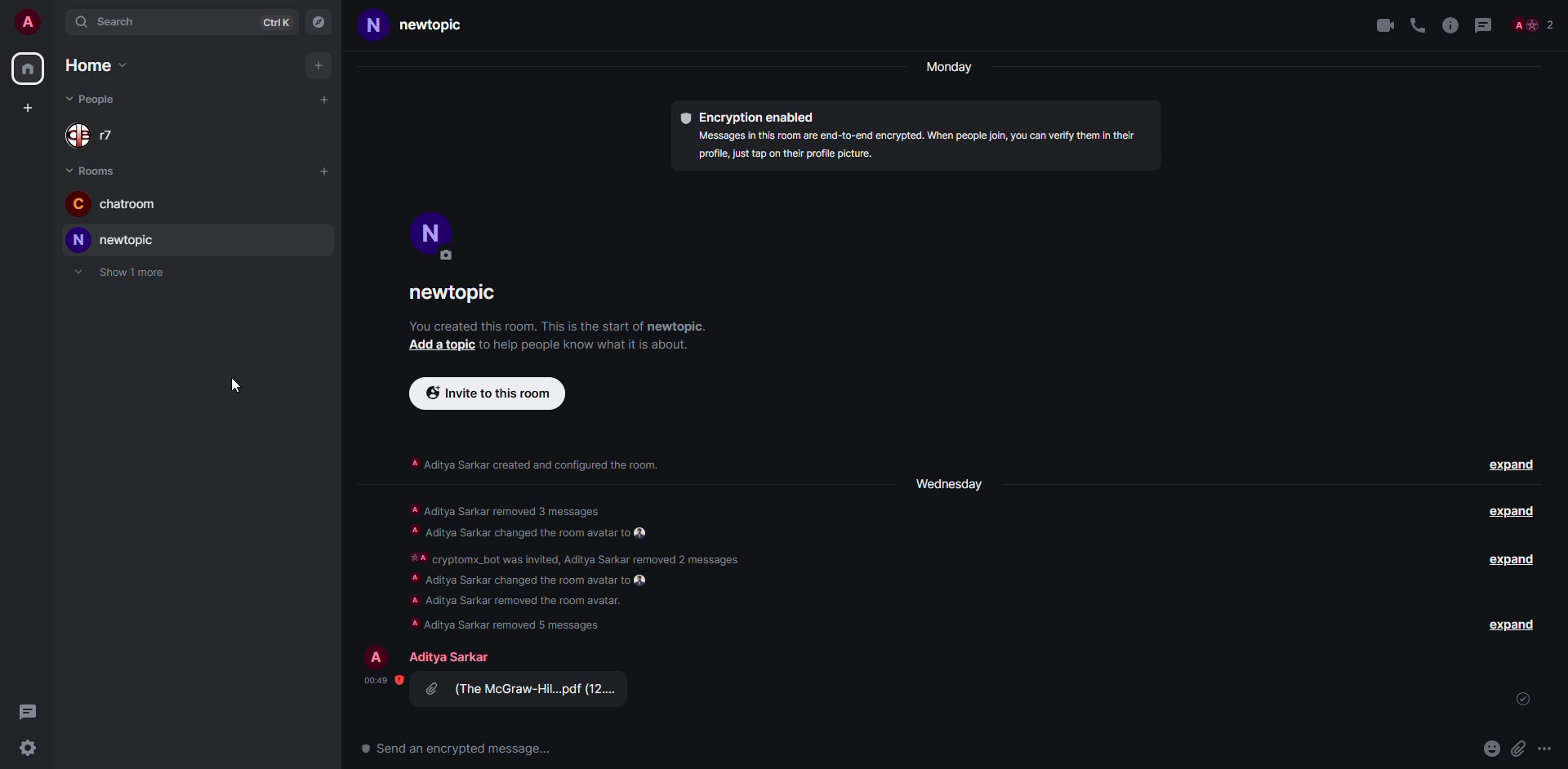  What do you see at coordinates (488, 394) in the screenshot?
I see `invite to this room` at bounding box center [488, 394].